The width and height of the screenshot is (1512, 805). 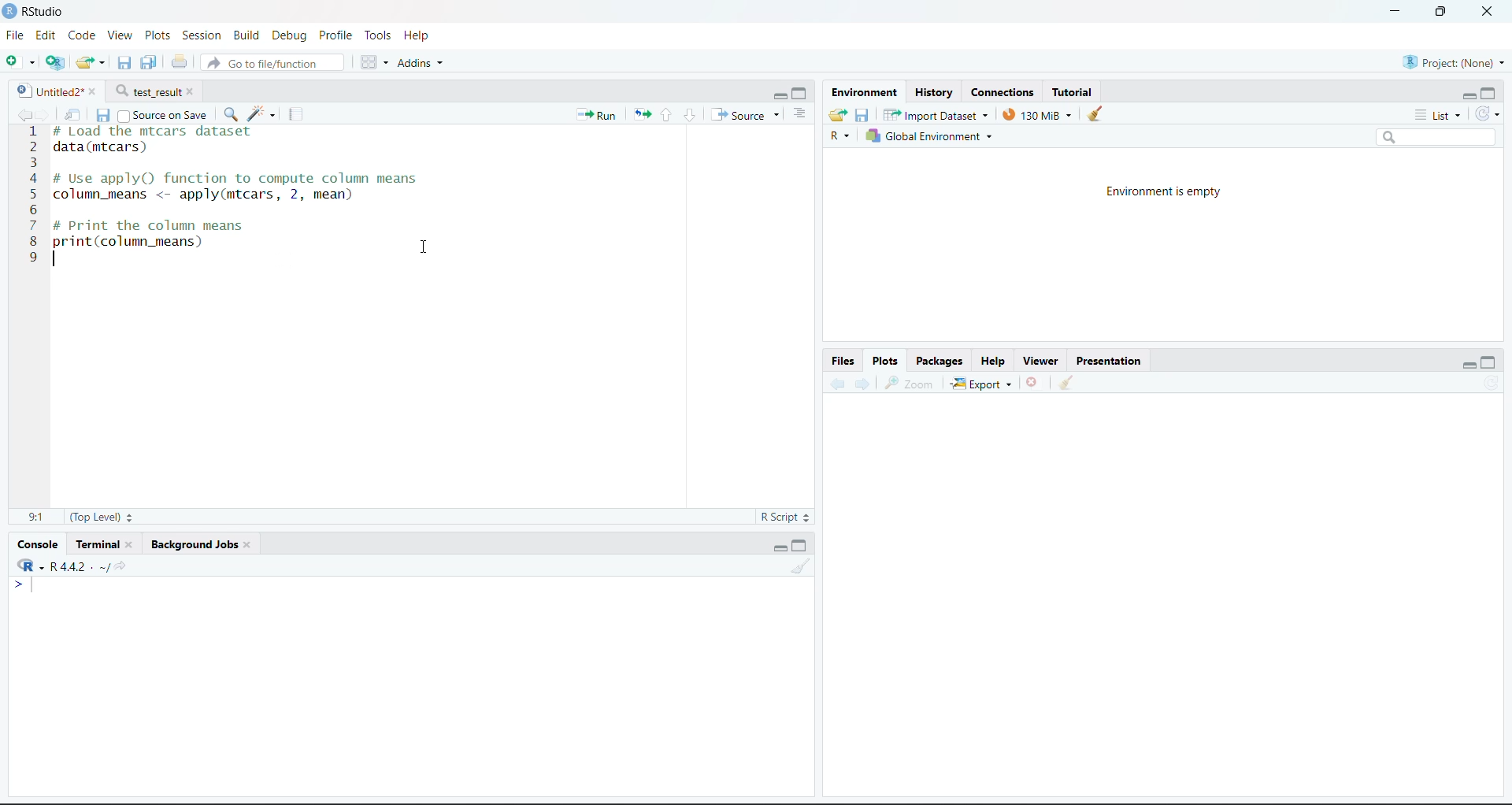 What do you see at coordinates (787, 517) in the screenshot?
I see `R Script` at bounding box center [787, 517].